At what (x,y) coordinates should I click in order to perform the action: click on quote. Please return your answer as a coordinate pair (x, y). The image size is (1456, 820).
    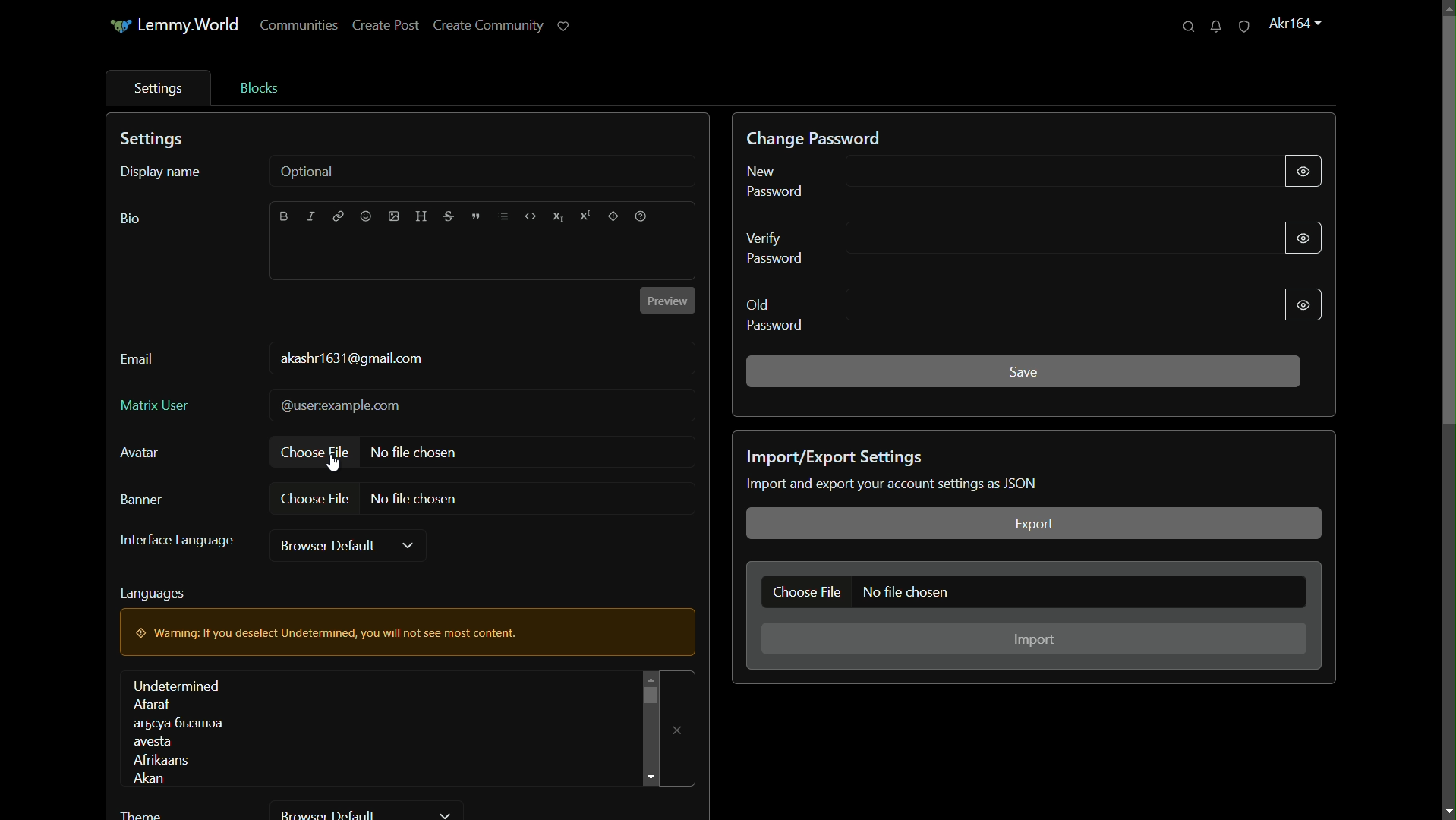
    Looking at the image, I should click on (475, 218).